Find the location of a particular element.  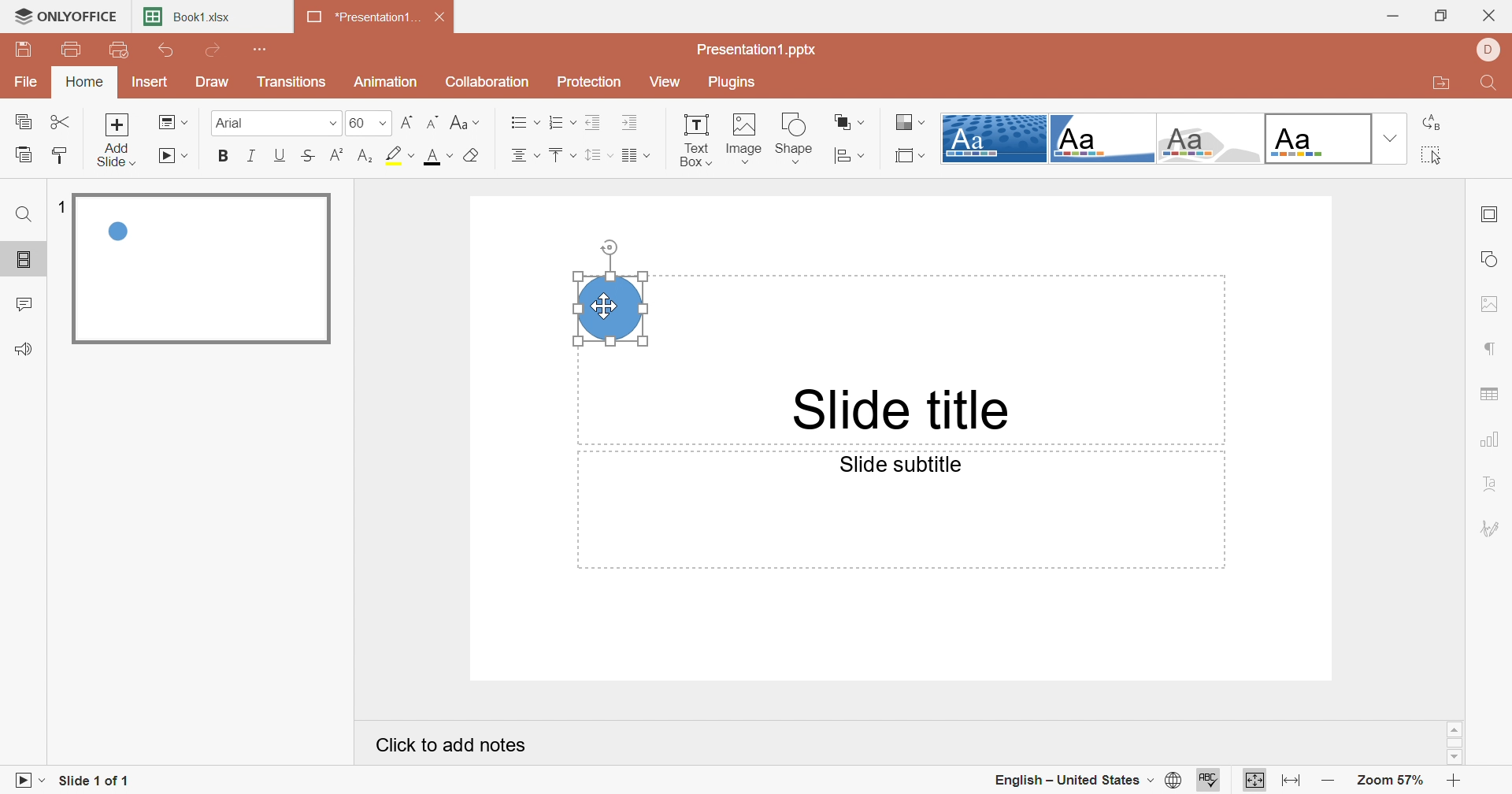

Zoom in is located at coordinates (1455, 782).